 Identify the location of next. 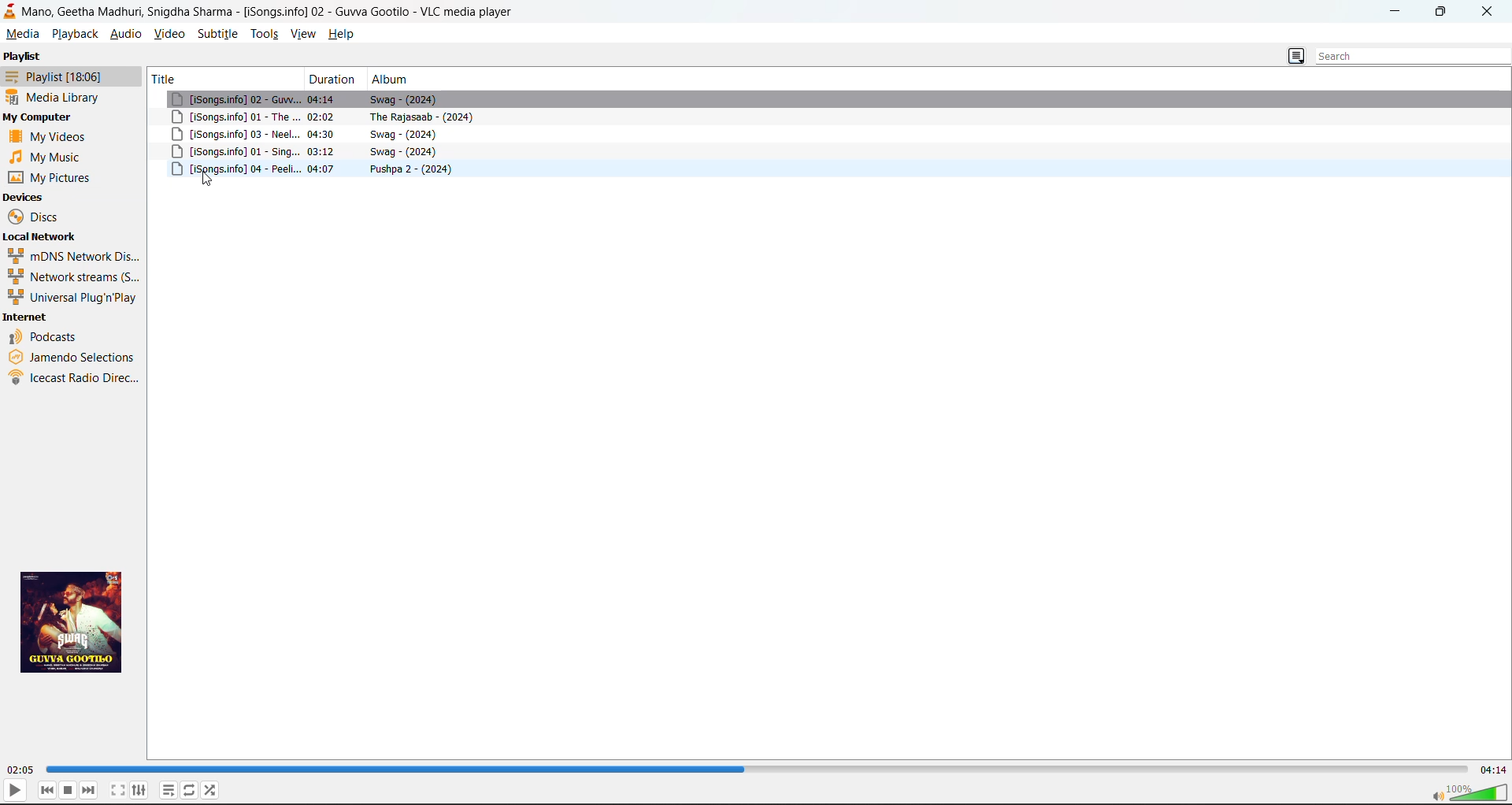
(89, 790).